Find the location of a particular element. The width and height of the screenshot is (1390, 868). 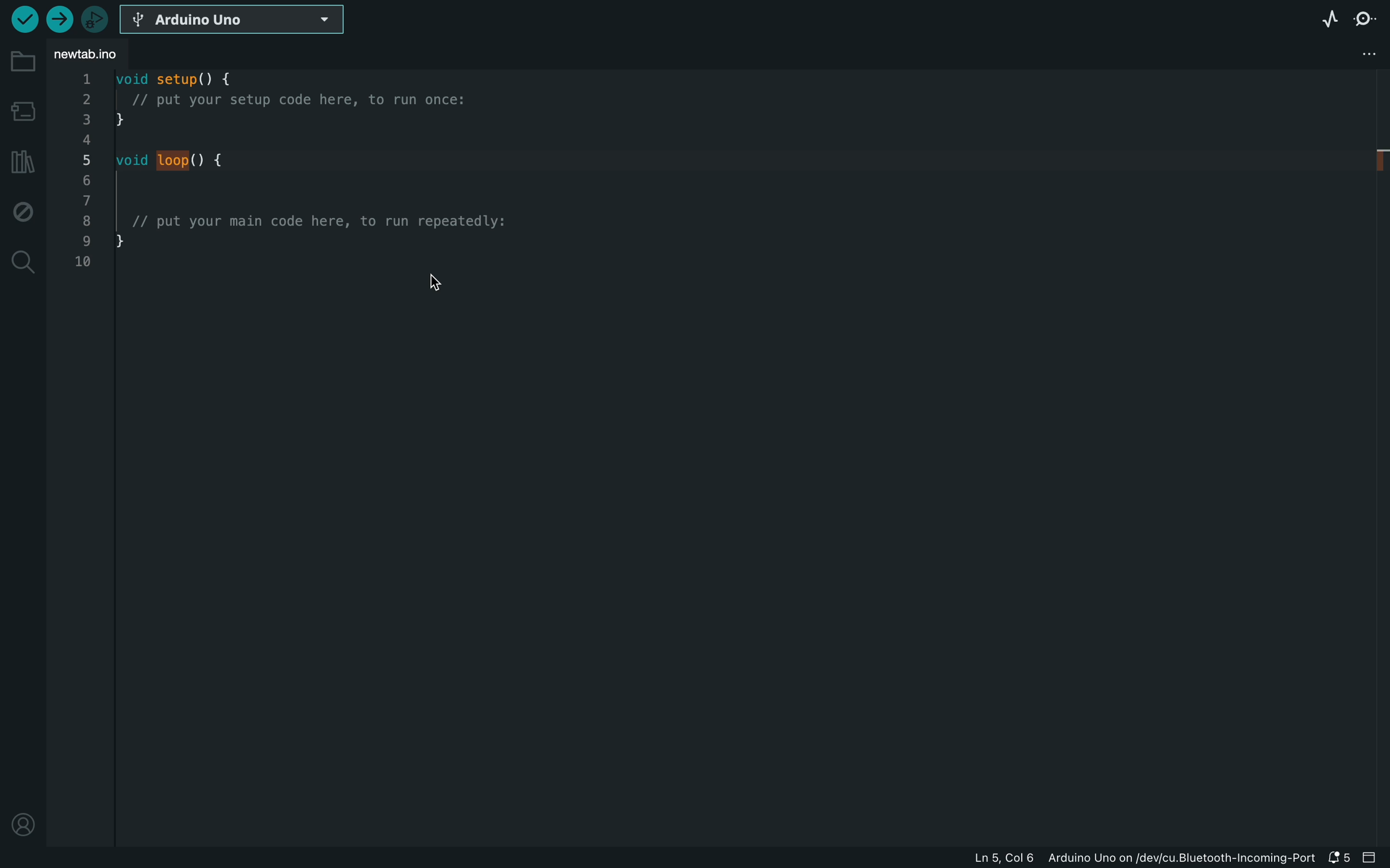

file information is located at coordinates (1142, 858).